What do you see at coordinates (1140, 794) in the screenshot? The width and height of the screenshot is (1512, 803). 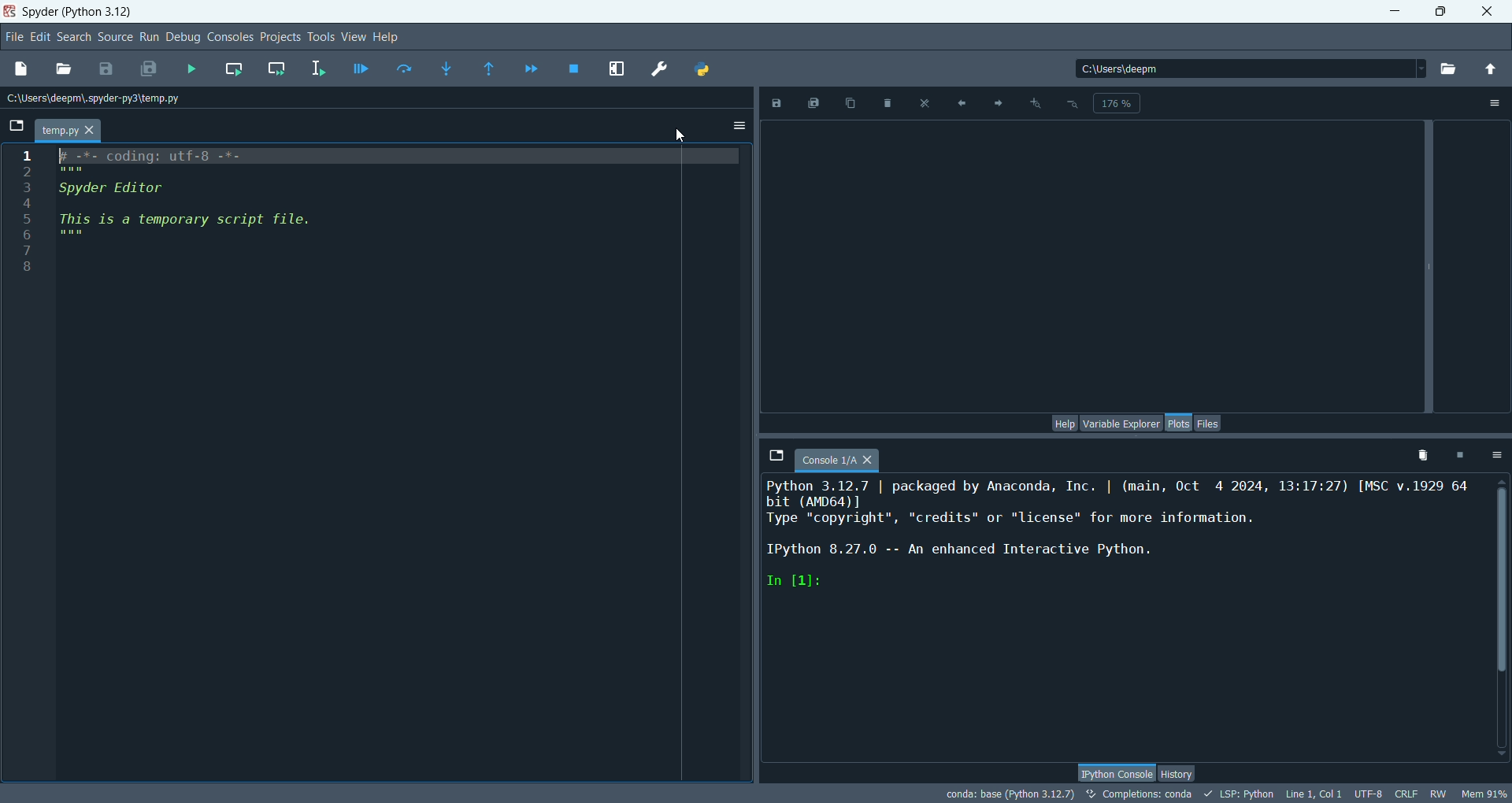 I see `completions:conda` at bounding box center [1140, 794].